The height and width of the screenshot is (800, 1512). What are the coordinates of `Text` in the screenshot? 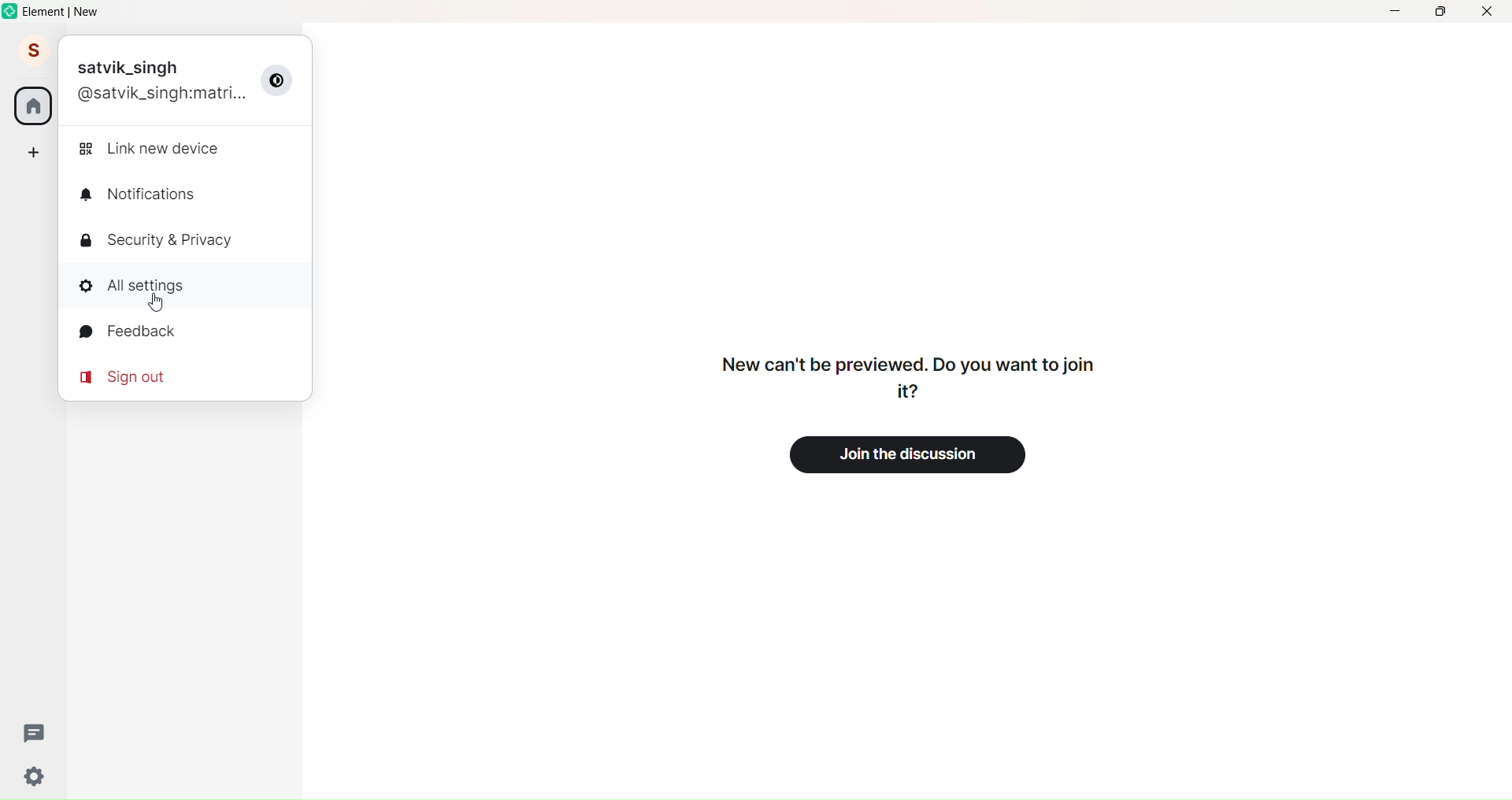 It's located at (902, 376).